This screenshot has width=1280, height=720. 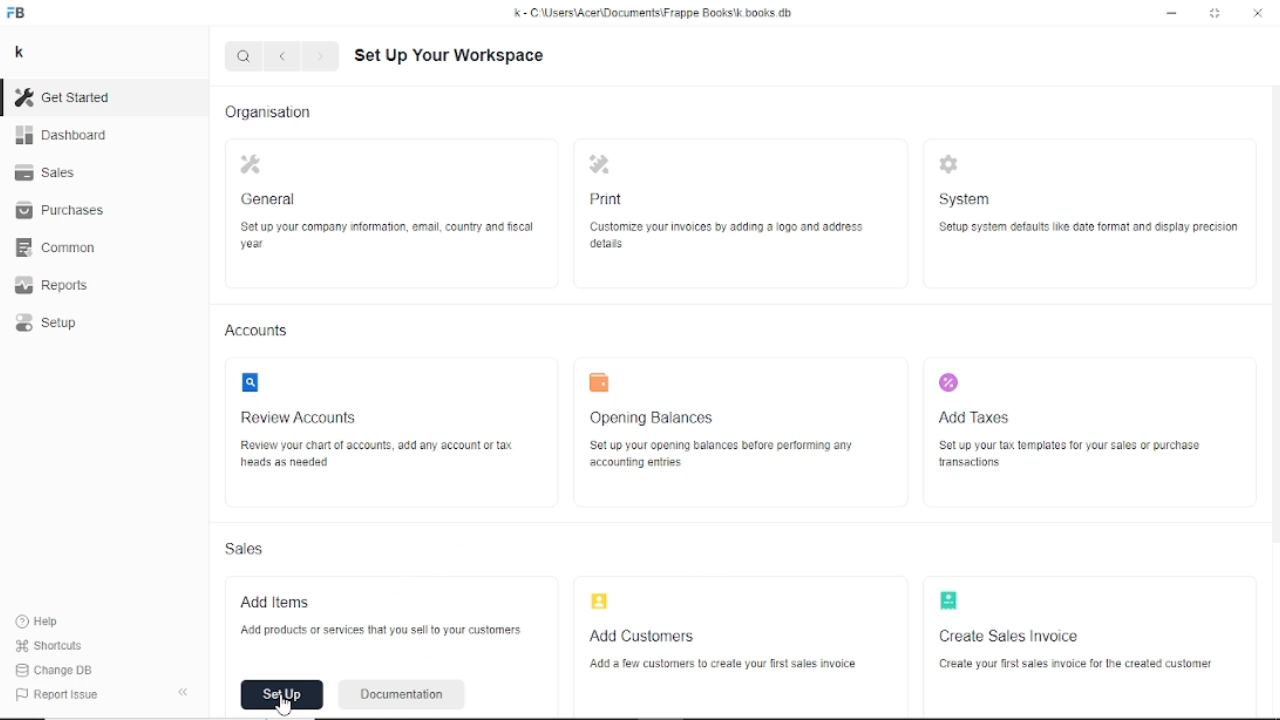 What do you see at coordinates (1173, 14) in the screenshot?
I see `Minimize` at bounding box center [1173, 14].